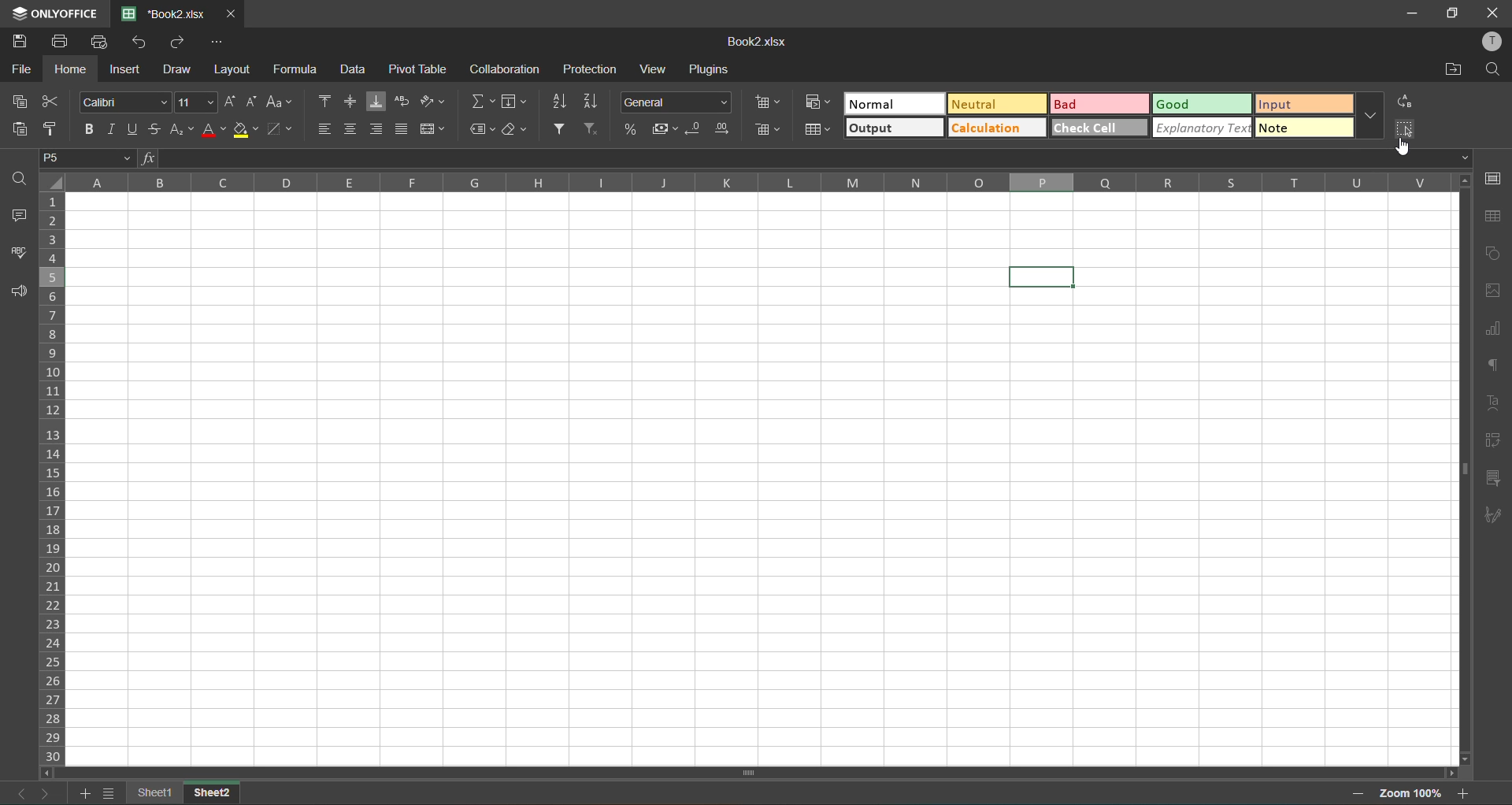 This screenshot has width=1512, height=805. I want to click on increment size, so click(228, 103).